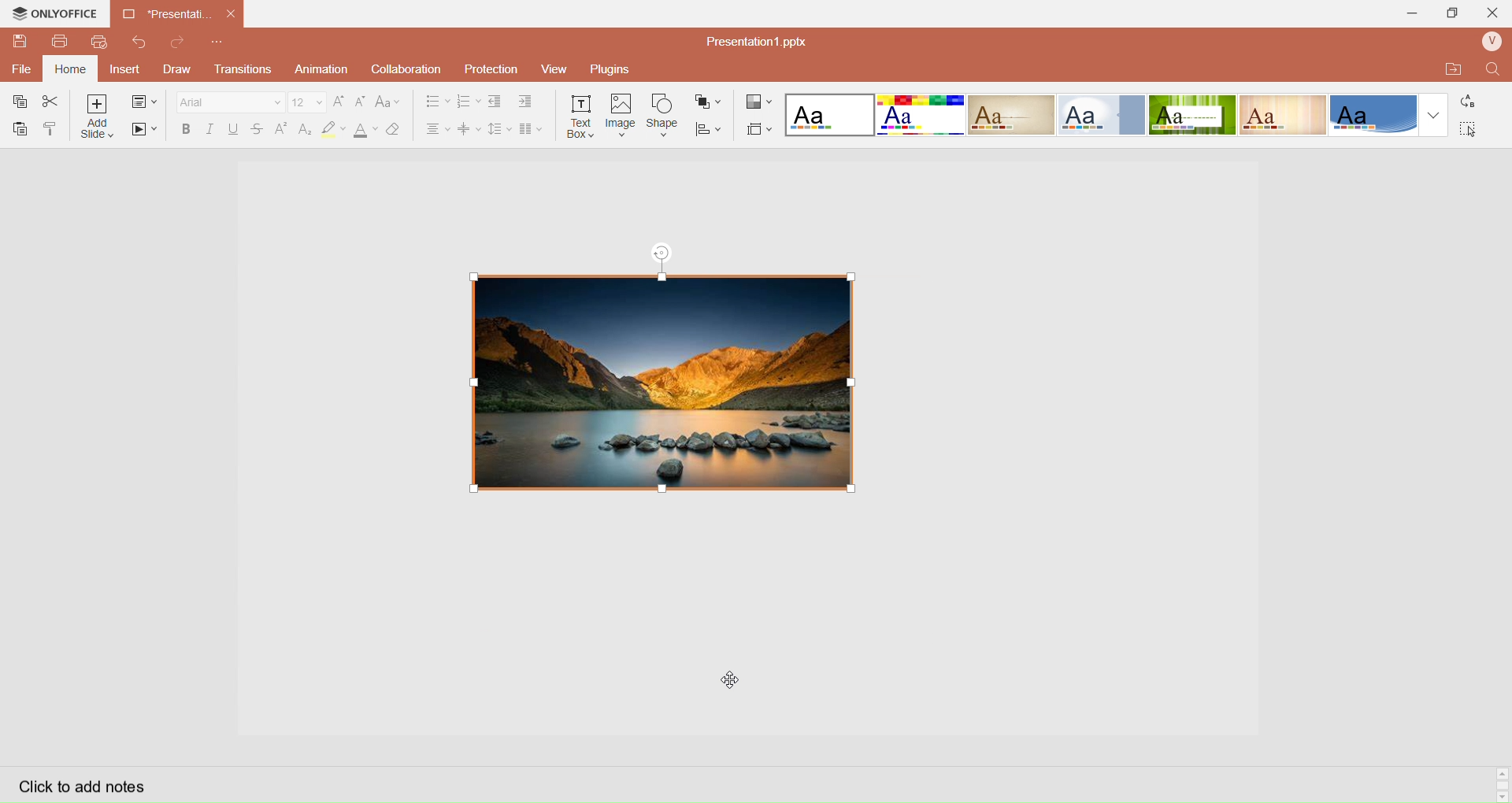 This screenshot has width=1512, height=803. What do you see at coordinates (493, 69) in the screenshot?
I see `Protection` at bounding box center [493, 69].